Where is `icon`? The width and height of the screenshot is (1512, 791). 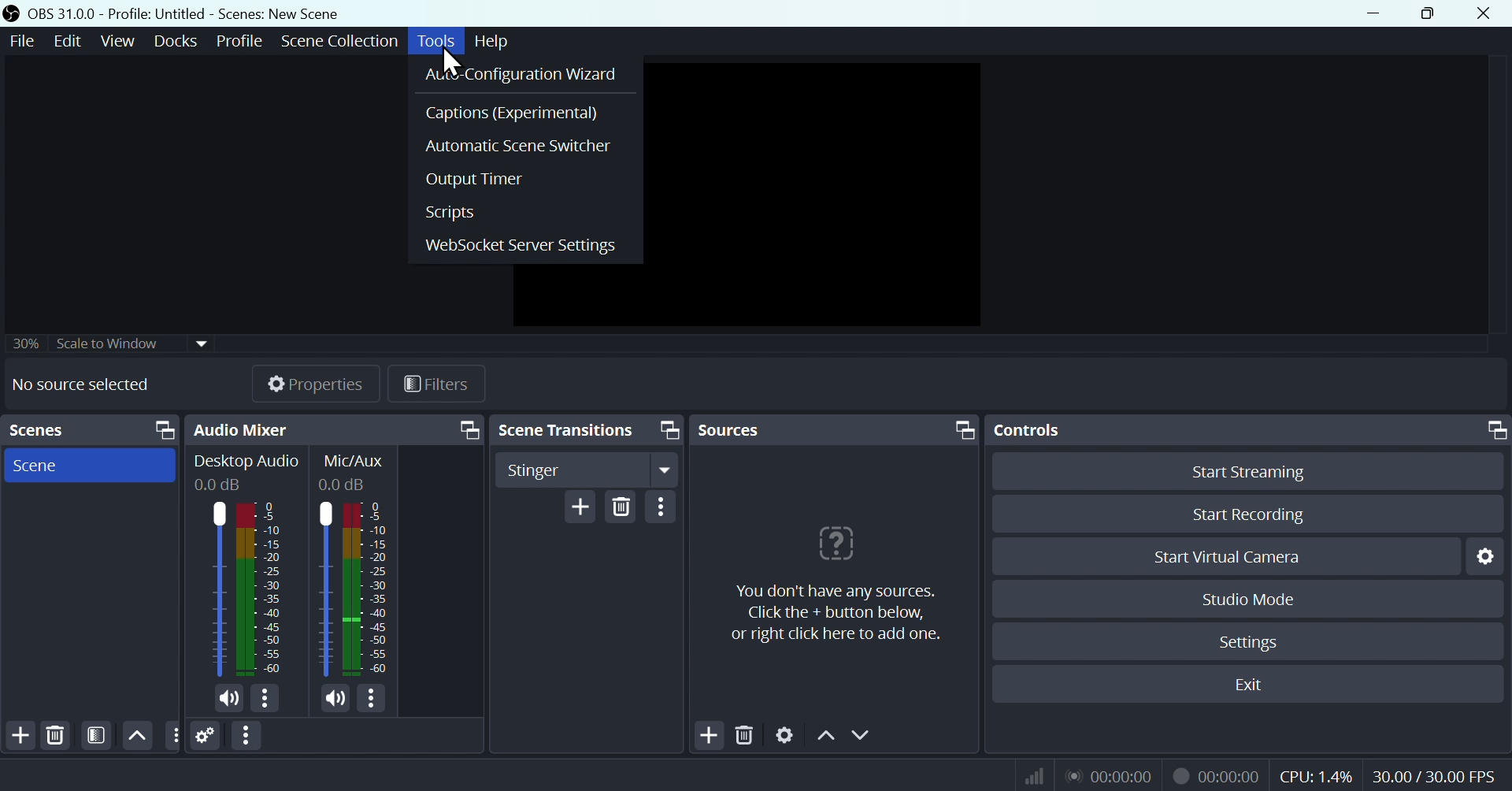
icon is located at coordinates (833, 542).